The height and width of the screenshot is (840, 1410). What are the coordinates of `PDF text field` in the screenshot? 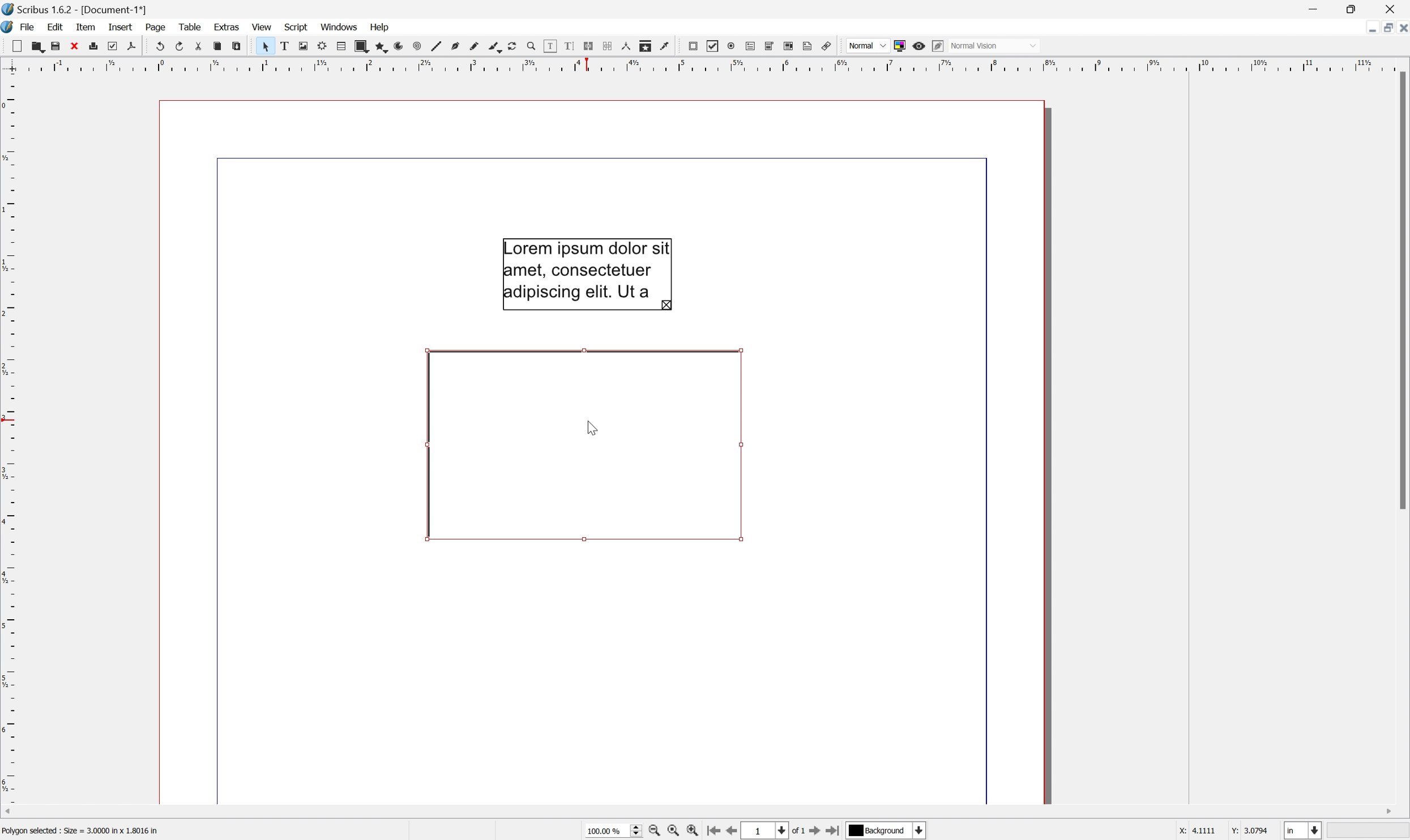 It's located at (748, 46).